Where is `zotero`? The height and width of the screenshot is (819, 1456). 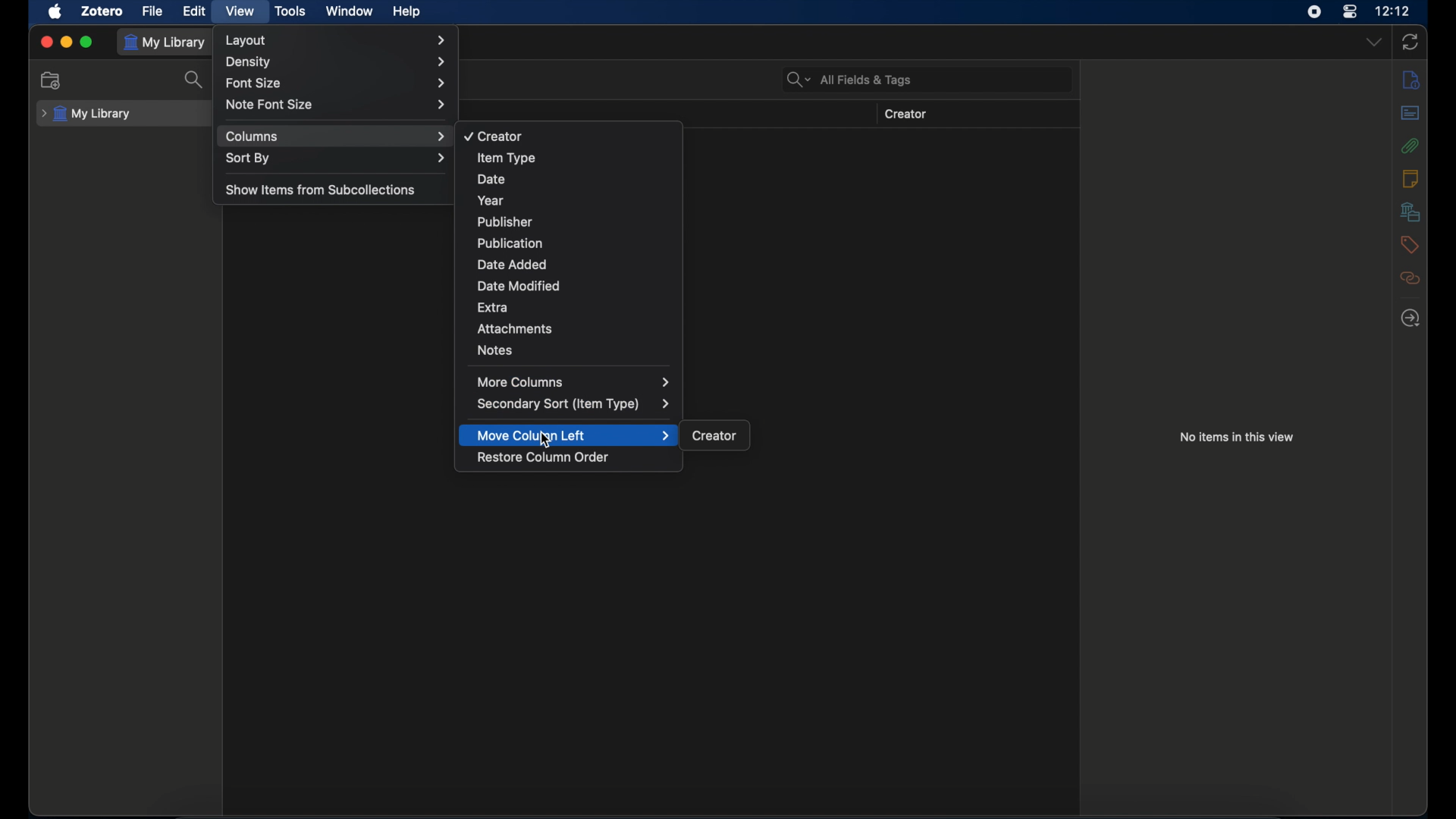 zotero is located at coordinates (103, 11).